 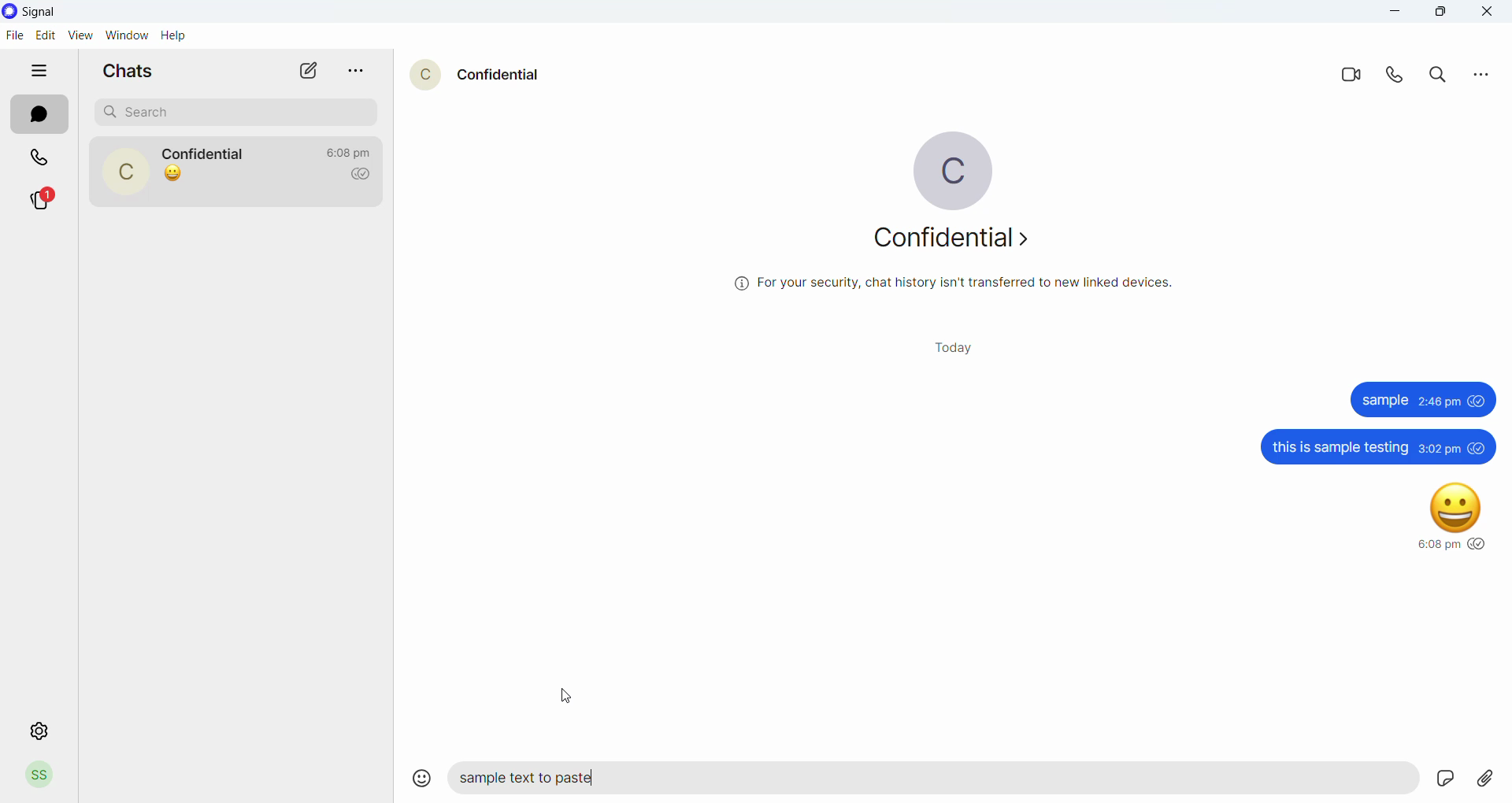 What do you see at coordinates (1492, 779) in the screenshot?
I see `share attachment` at bounding box center [1492, 779].